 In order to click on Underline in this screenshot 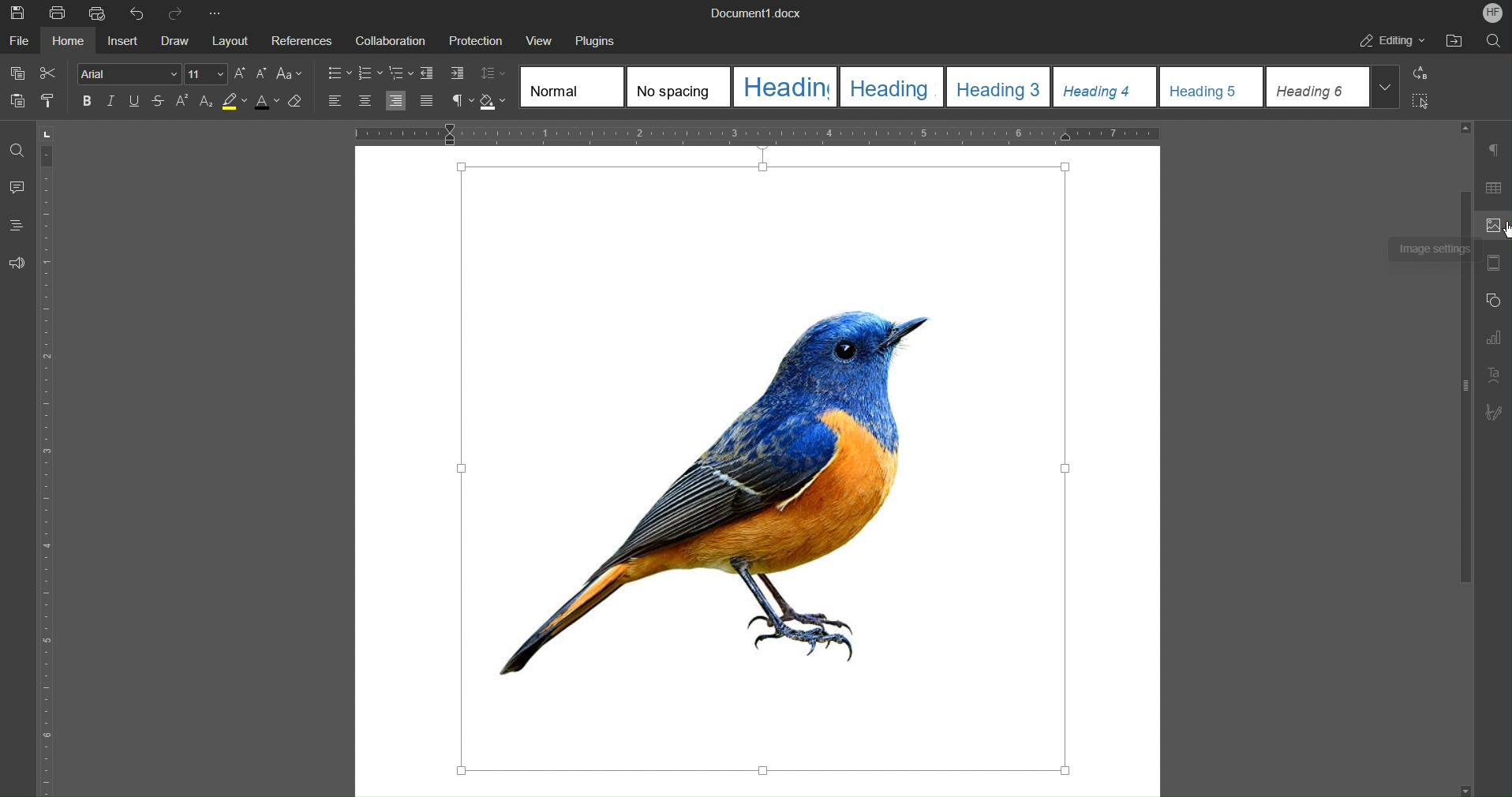, I will do `click(135, 102)`.